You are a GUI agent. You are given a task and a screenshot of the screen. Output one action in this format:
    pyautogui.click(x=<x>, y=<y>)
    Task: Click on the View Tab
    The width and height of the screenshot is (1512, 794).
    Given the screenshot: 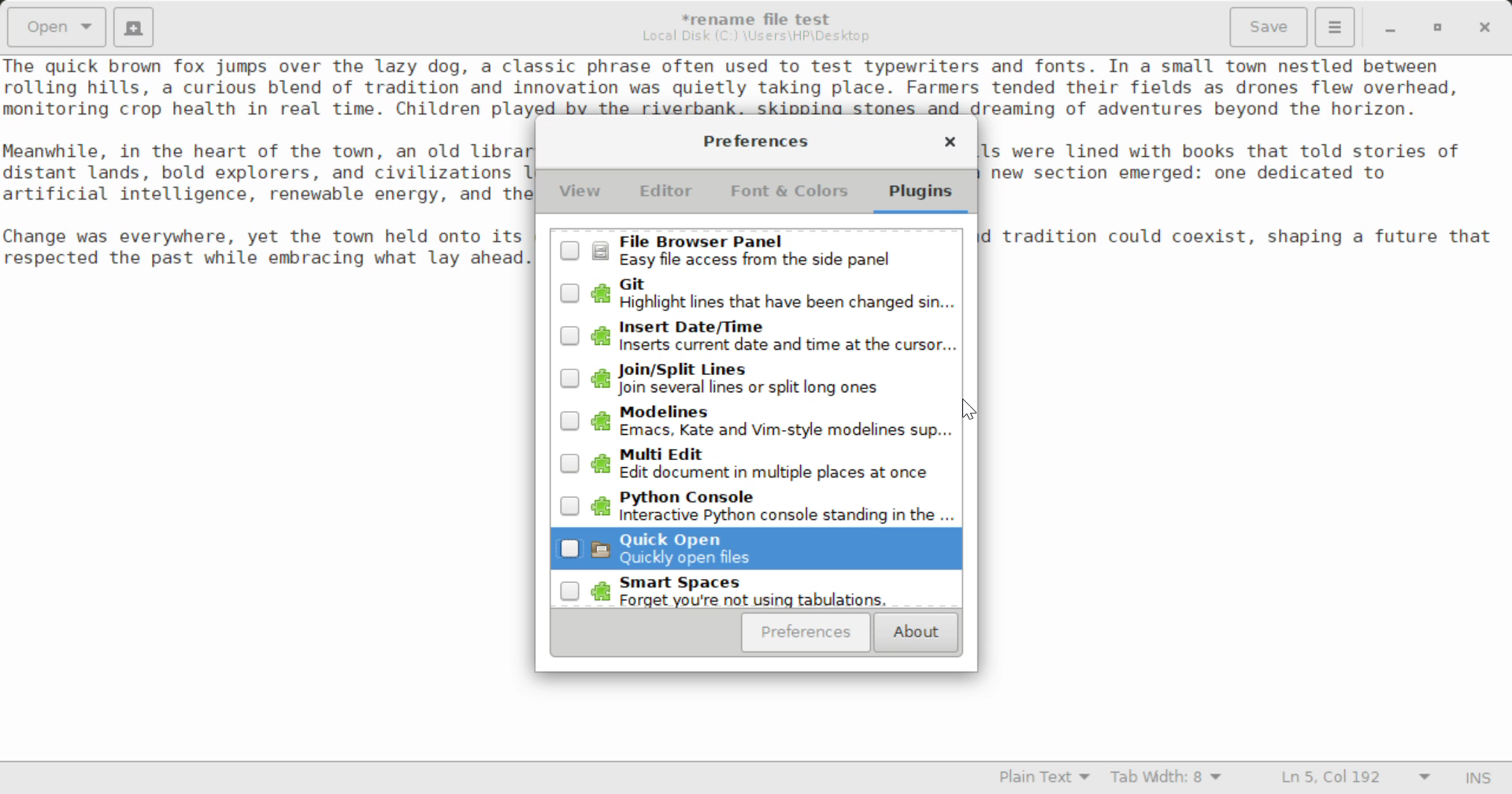 What is the action you would take?
    pyautogui.click(x=580, y=195)
    